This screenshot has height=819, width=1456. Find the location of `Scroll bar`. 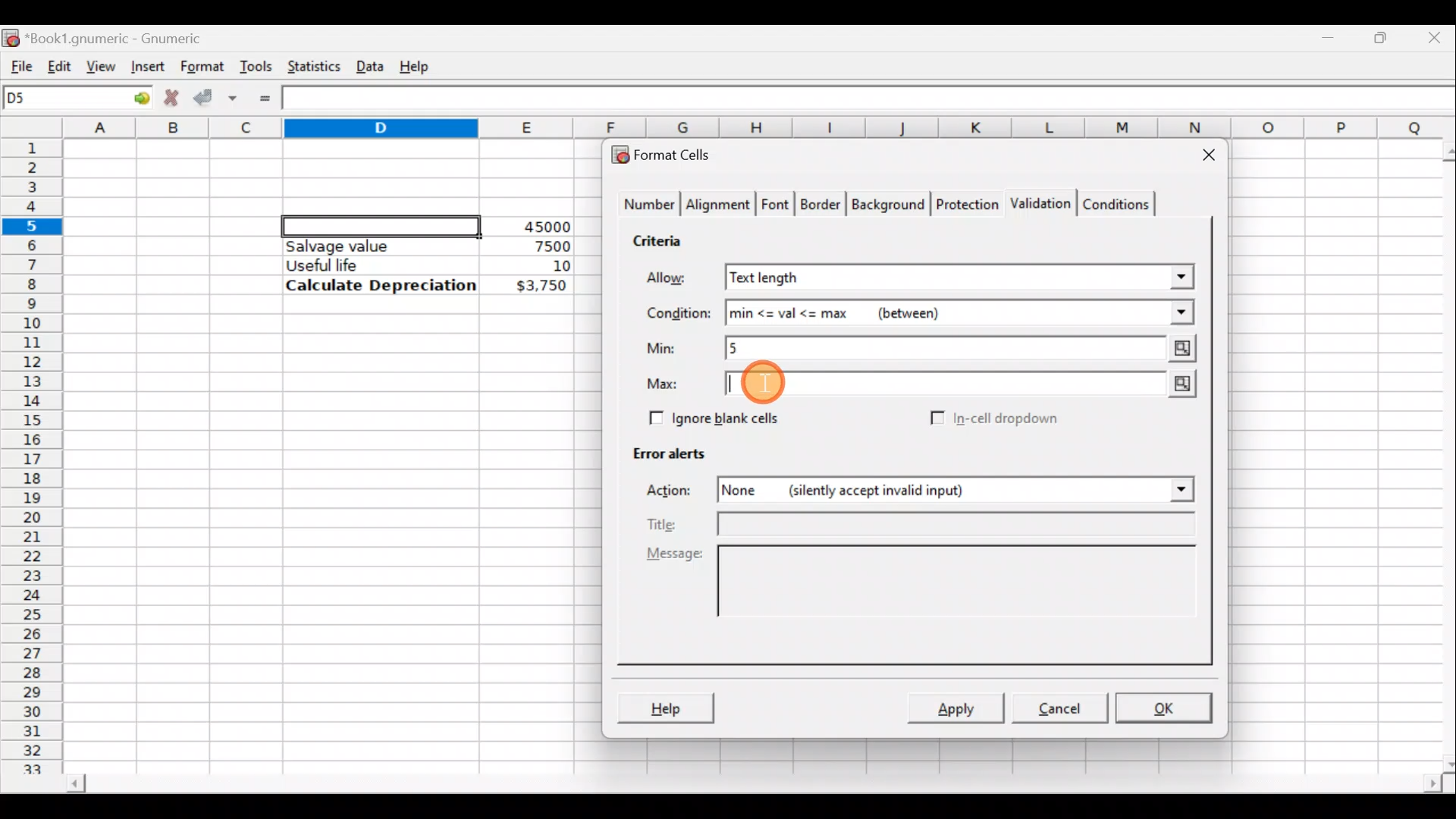

Scroll bar is located at coordinates (752, 786).